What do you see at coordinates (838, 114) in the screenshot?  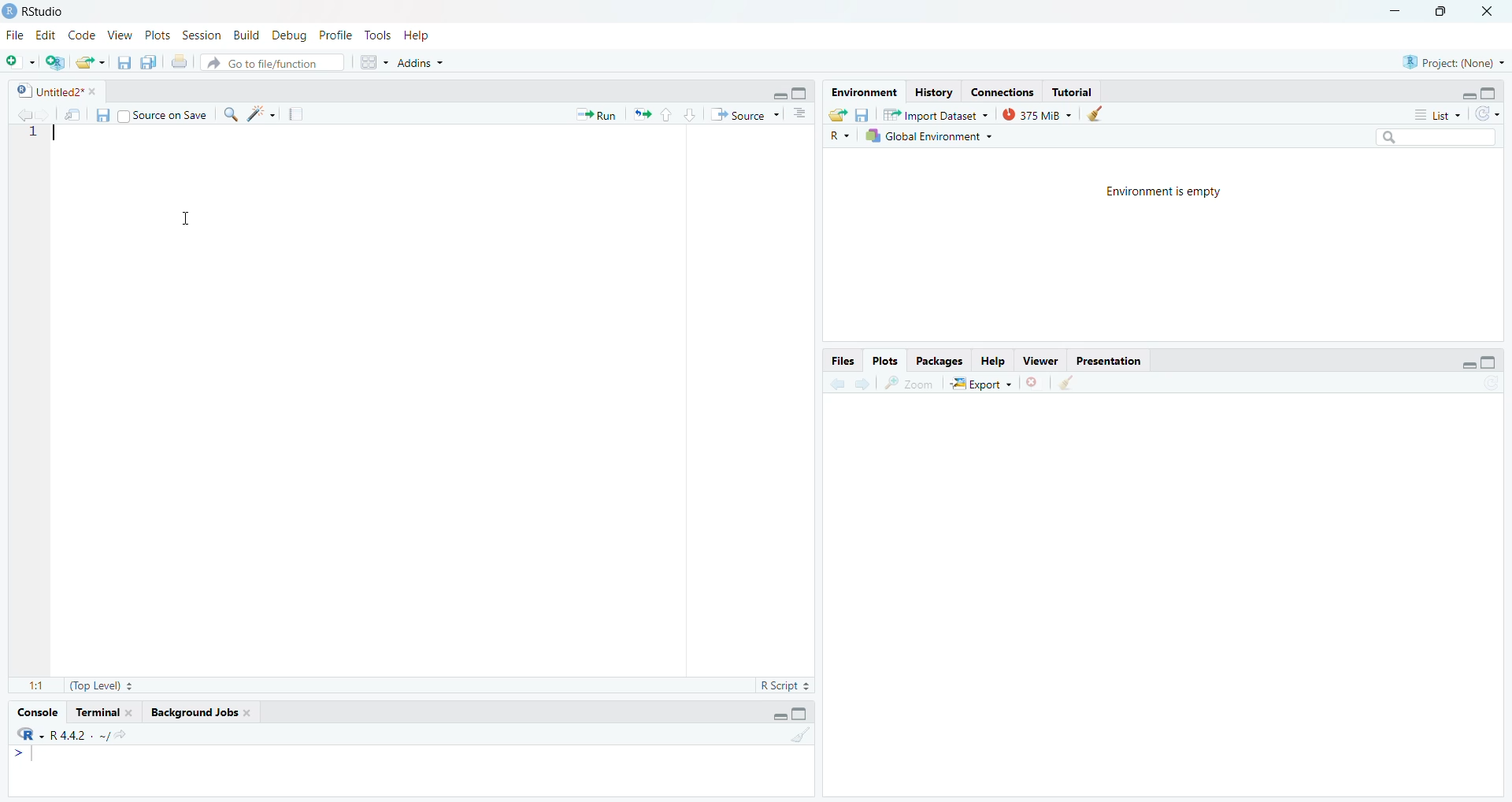 I see `load workspace` at bounding box center [838, 114].